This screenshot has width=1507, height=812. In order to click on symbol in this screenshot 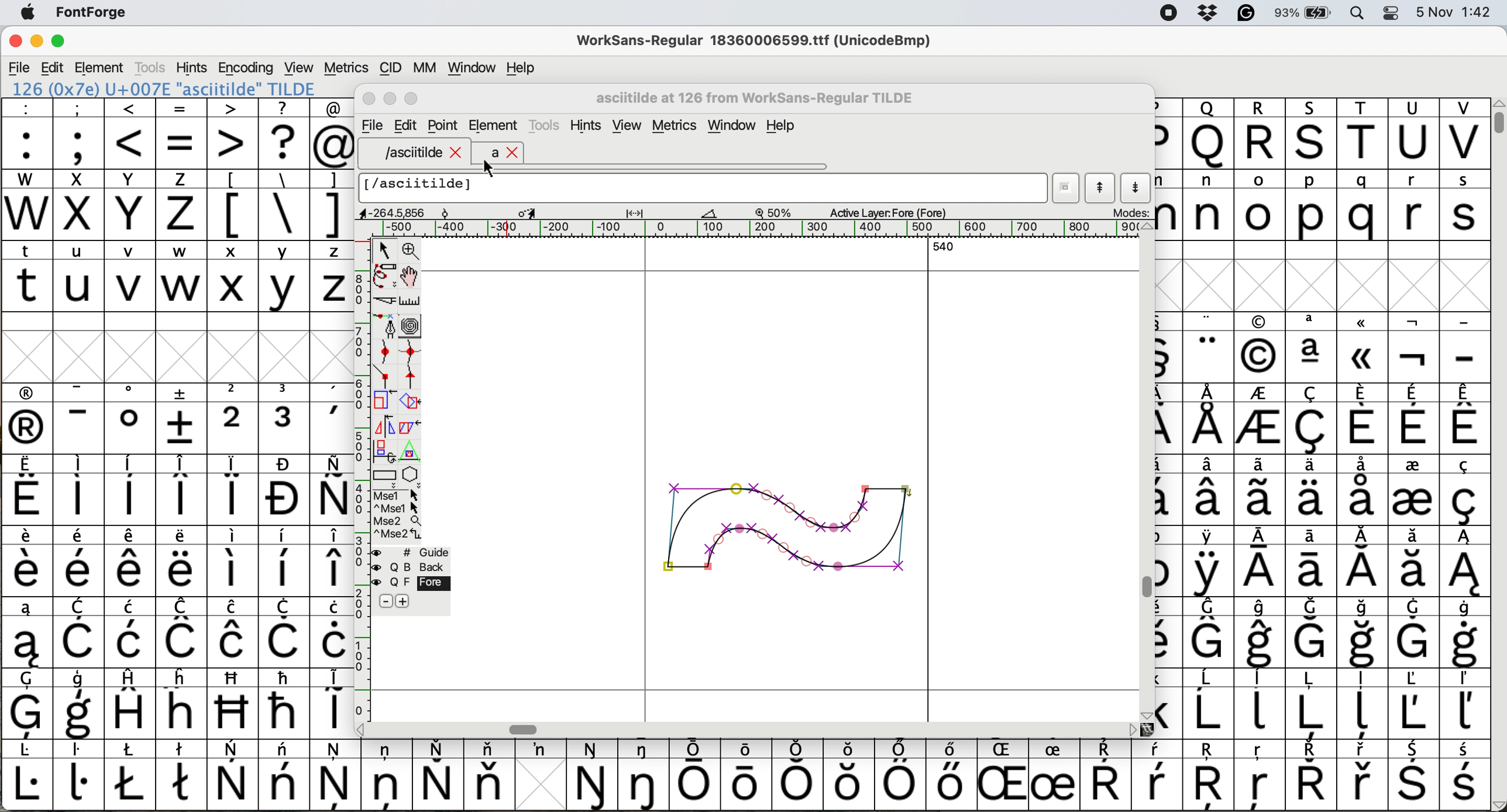, I will do `click(1312, 347)`.